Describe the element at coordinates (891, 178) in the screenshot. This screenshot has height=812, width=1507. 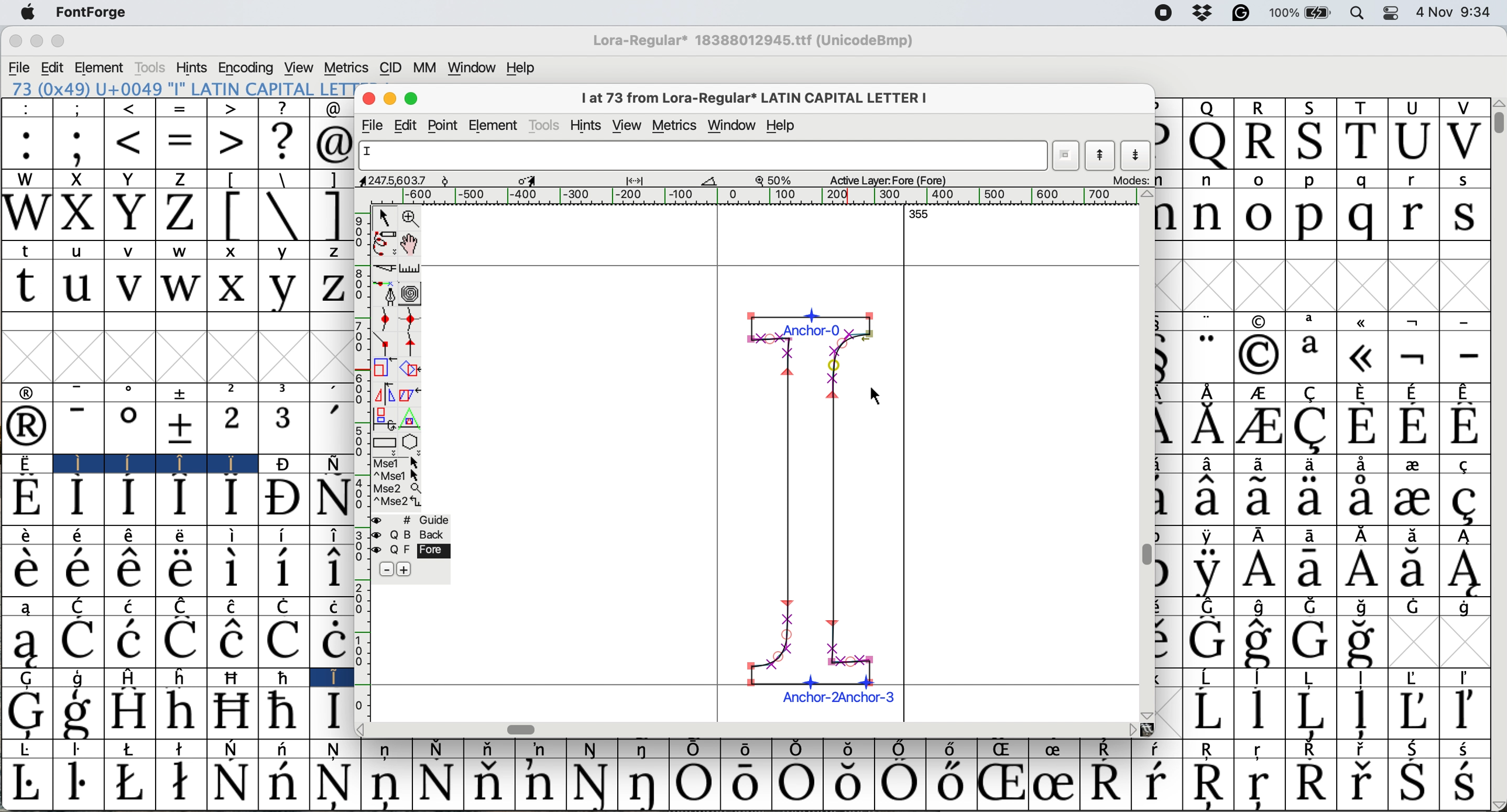
I see `active layers` at that location.